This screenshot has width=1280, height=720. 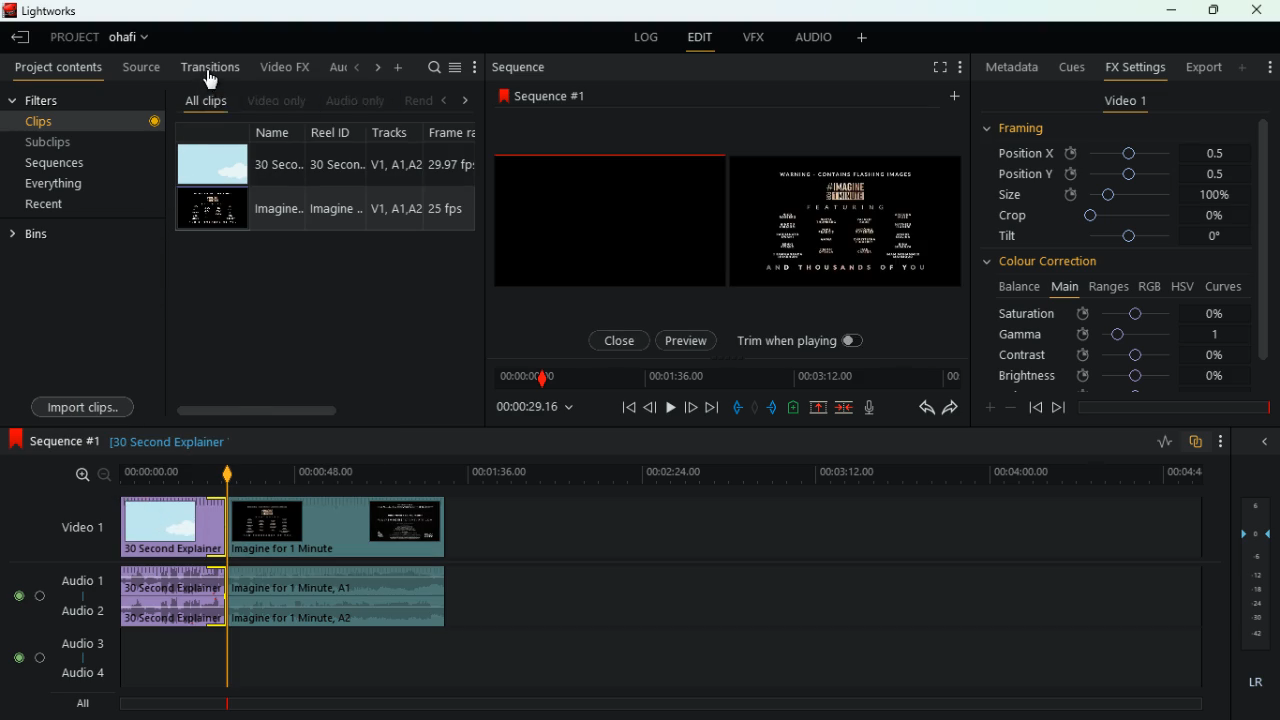 I want to click on sequence, so click(x=548, y=95).